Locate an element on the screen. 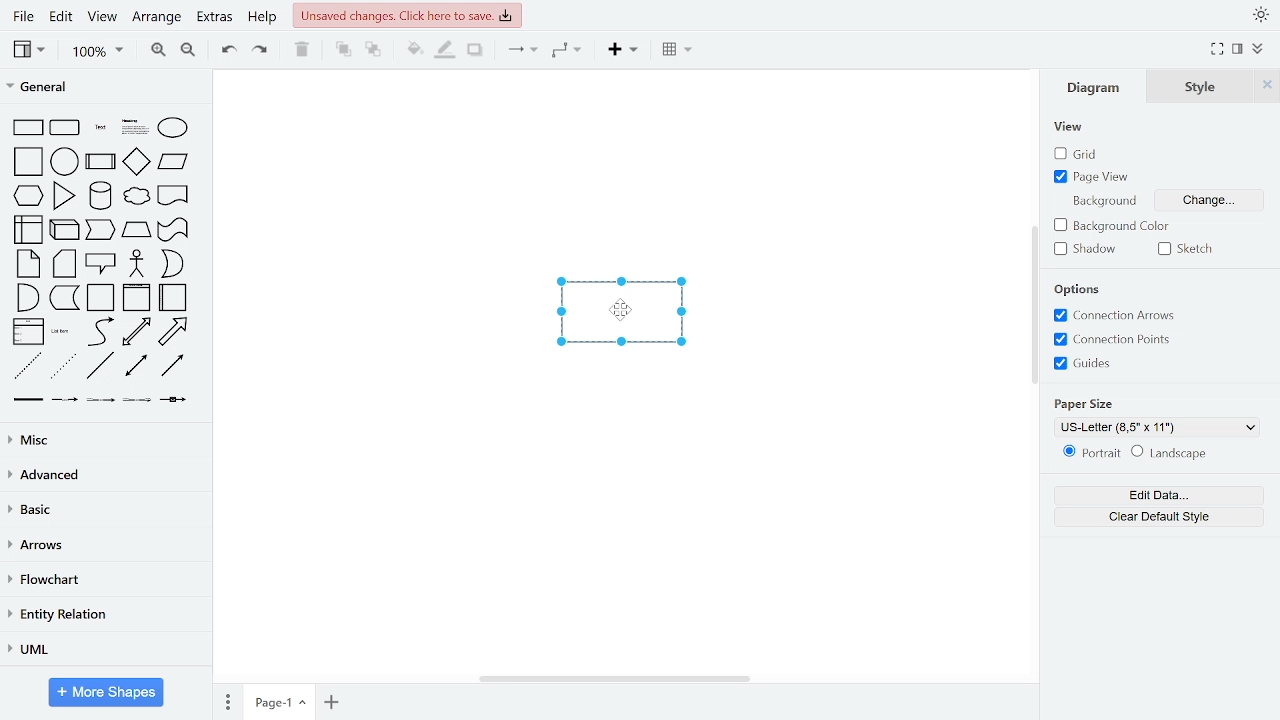  misc is located at coordinates (102, 441).